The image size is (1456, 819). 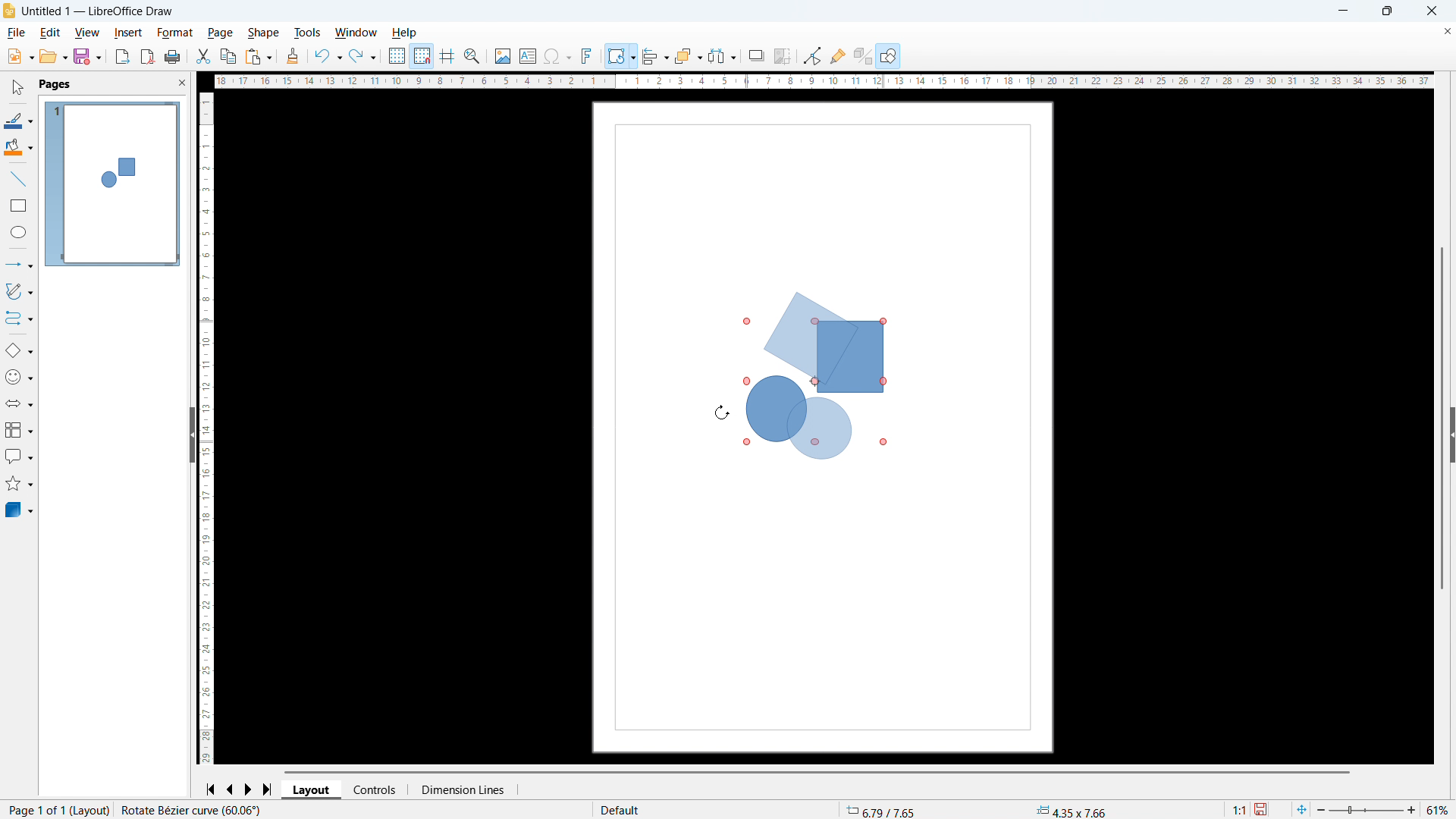 What do you see at coordinates (231, 790) in the screenshot?
I see `Previous page ` at bounding box center [231, 790].